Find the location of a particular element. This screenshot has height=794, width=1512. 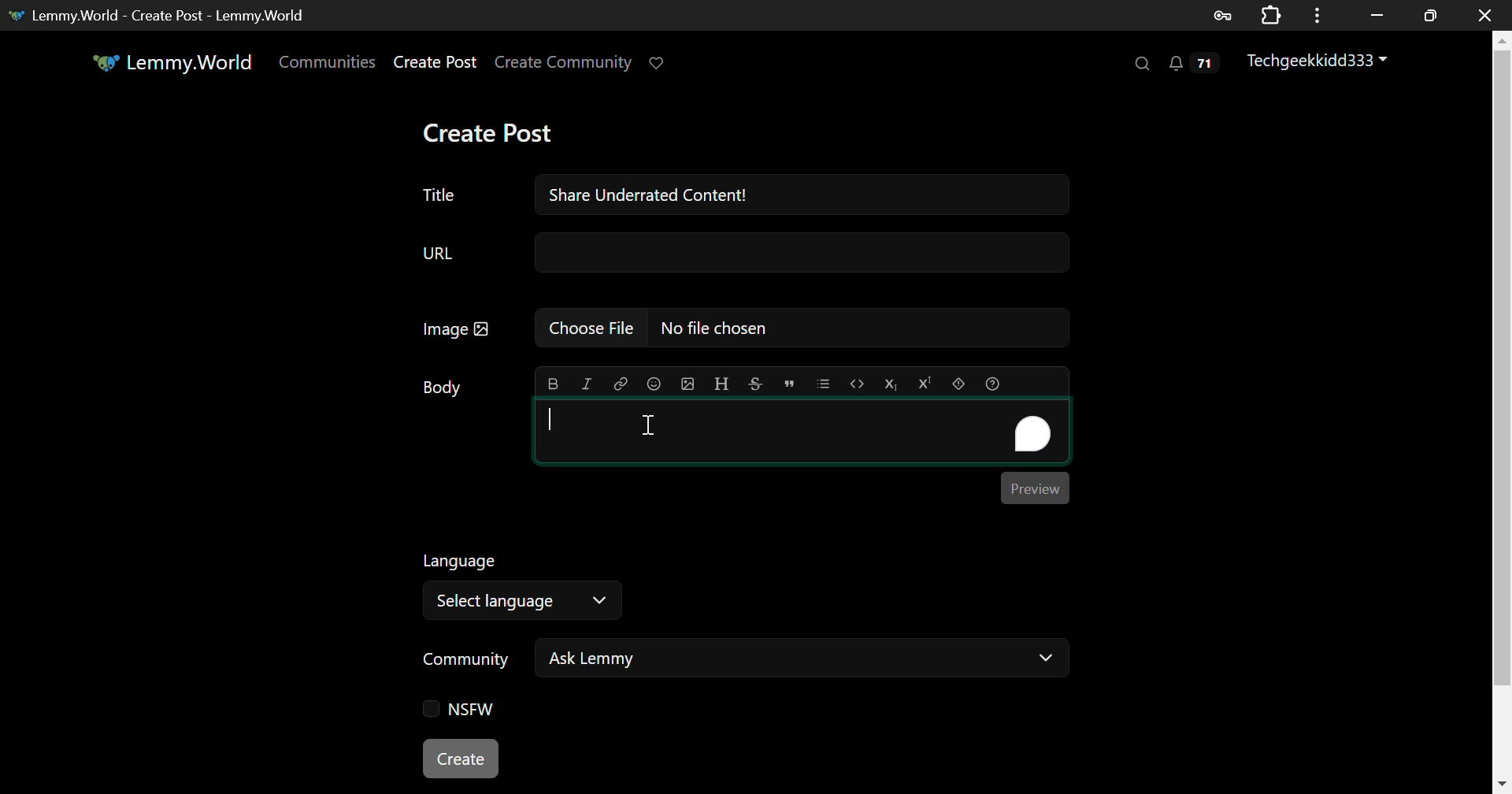

Italic is located at coordinates (586, 385).